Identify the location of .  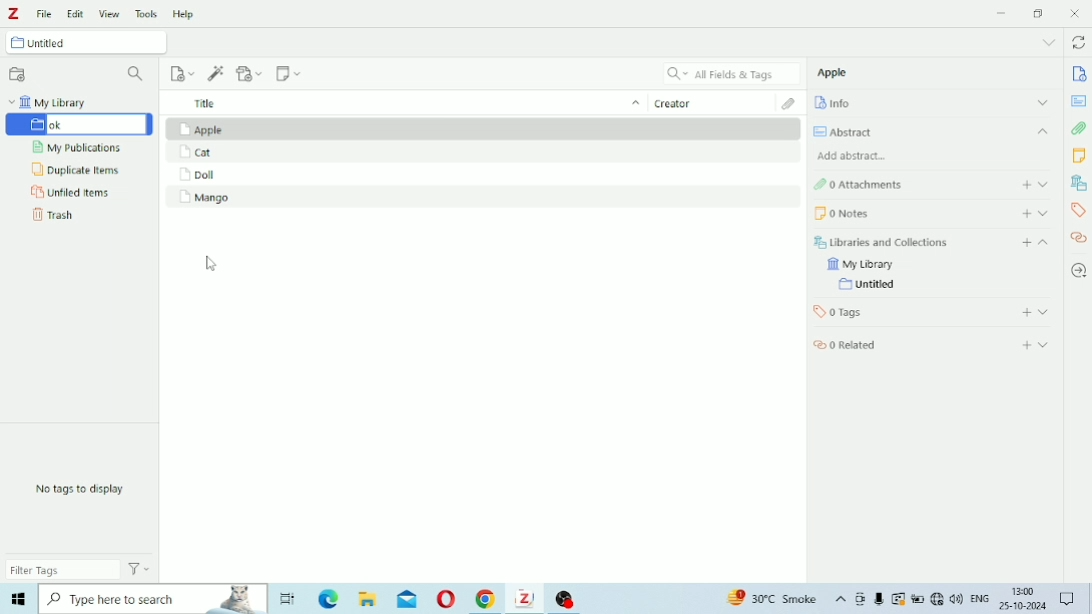
(154, 598).